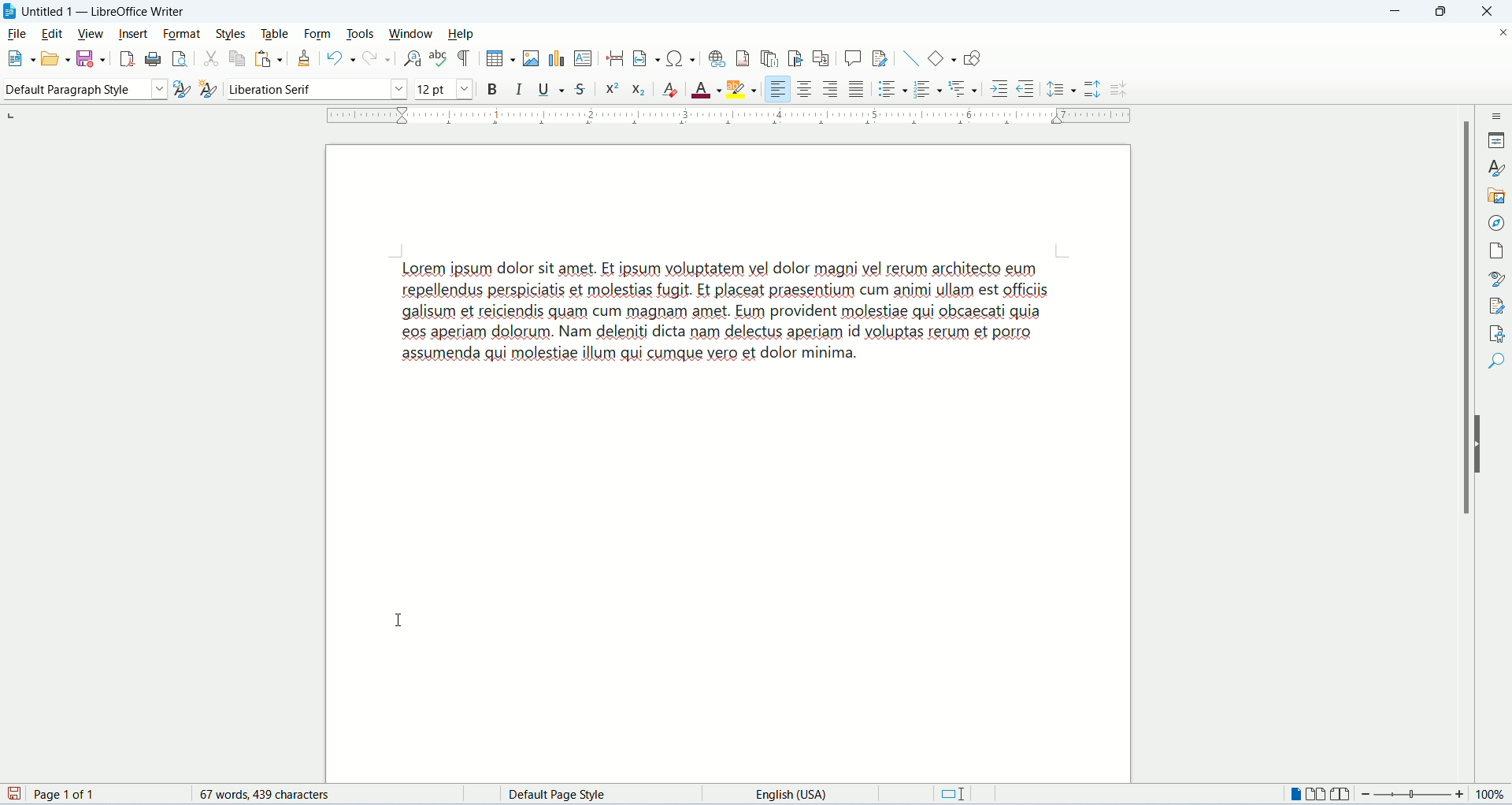  Describe the element at coordinates (831, 90) in the screenshot. I see `align right` at that location.